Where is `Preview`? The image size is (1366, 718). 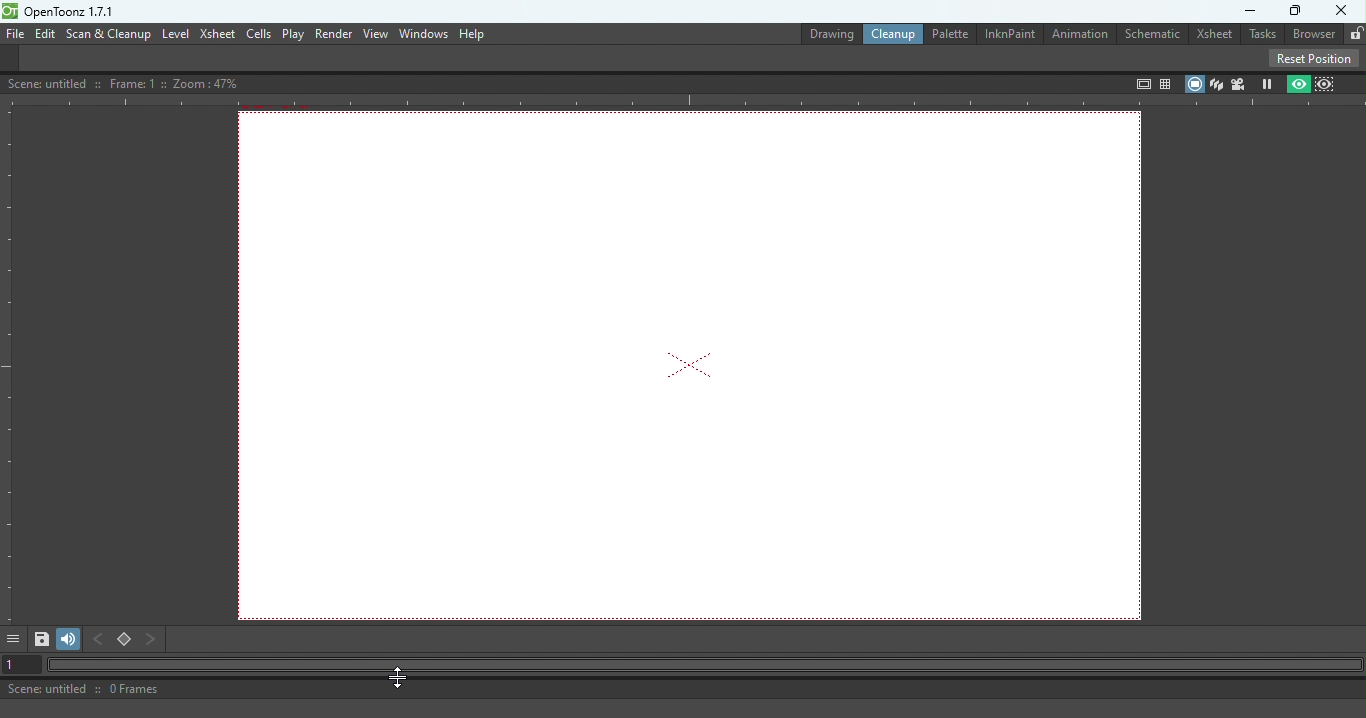
Preview is located at coordinates (1296, 84).